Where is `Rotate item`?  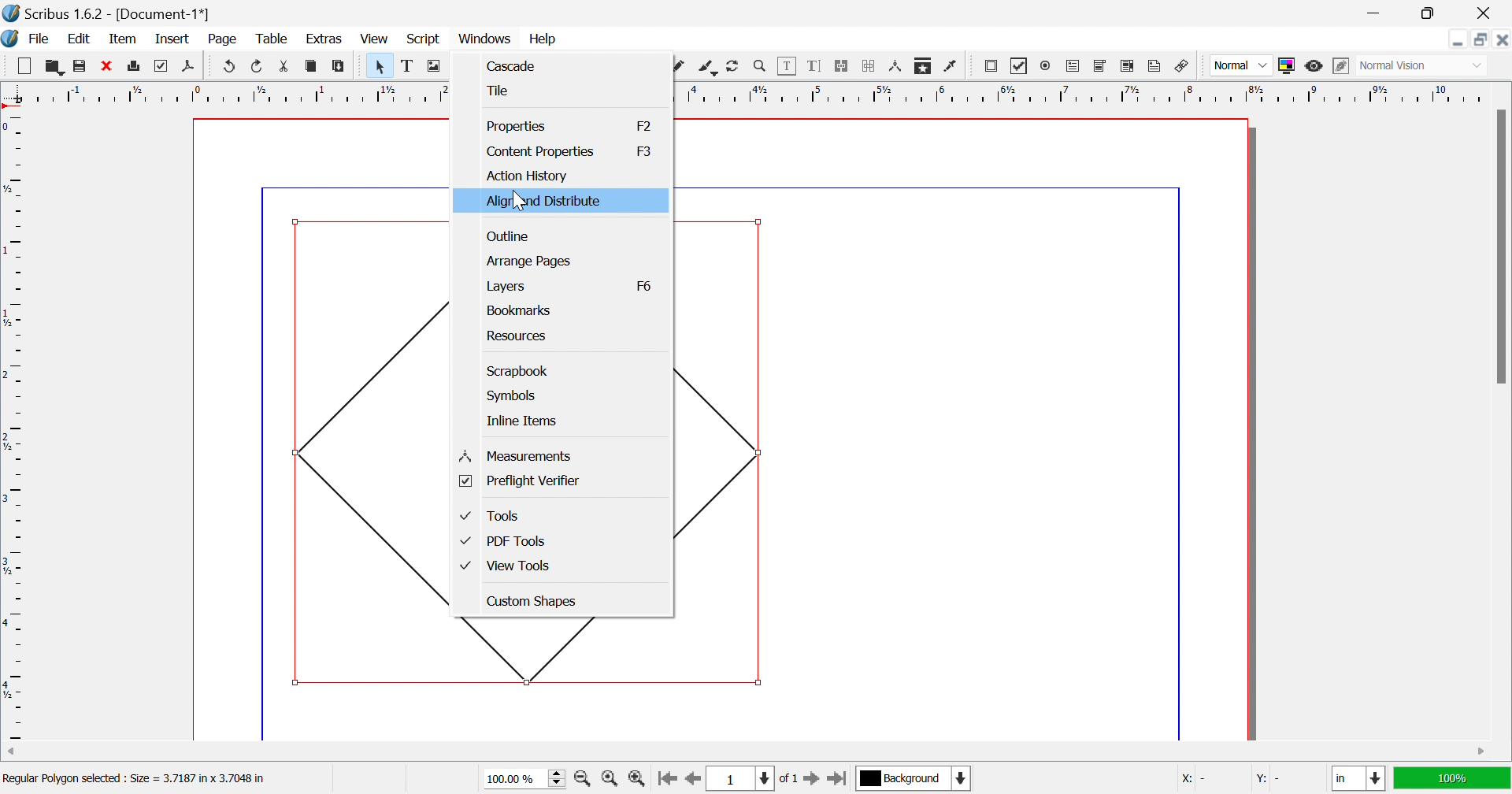 Rotate item is located at coordinates (732, 66).